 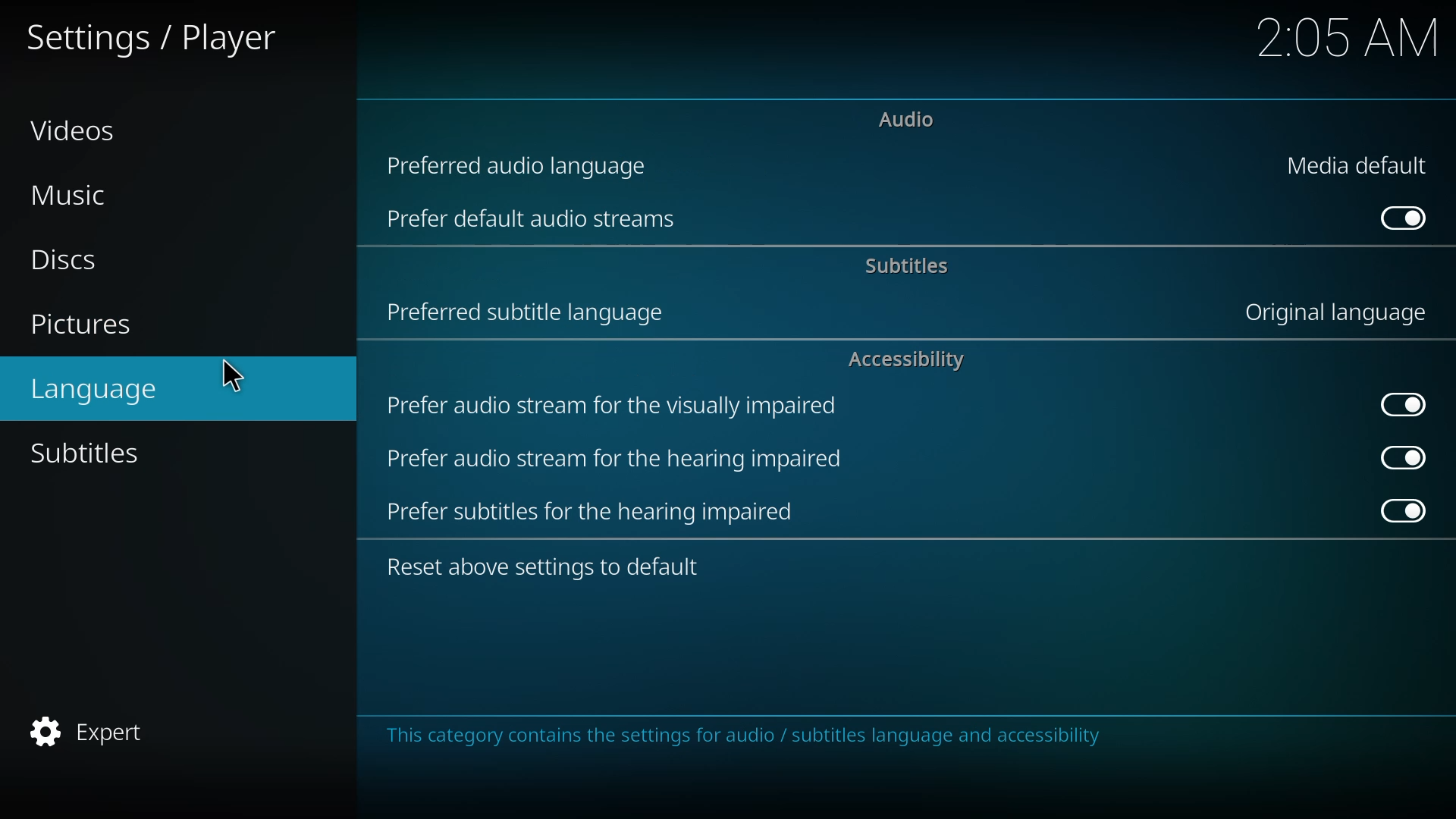 I want to click on prefer subtitles for hearing impaired, so click(x=590, y=510).